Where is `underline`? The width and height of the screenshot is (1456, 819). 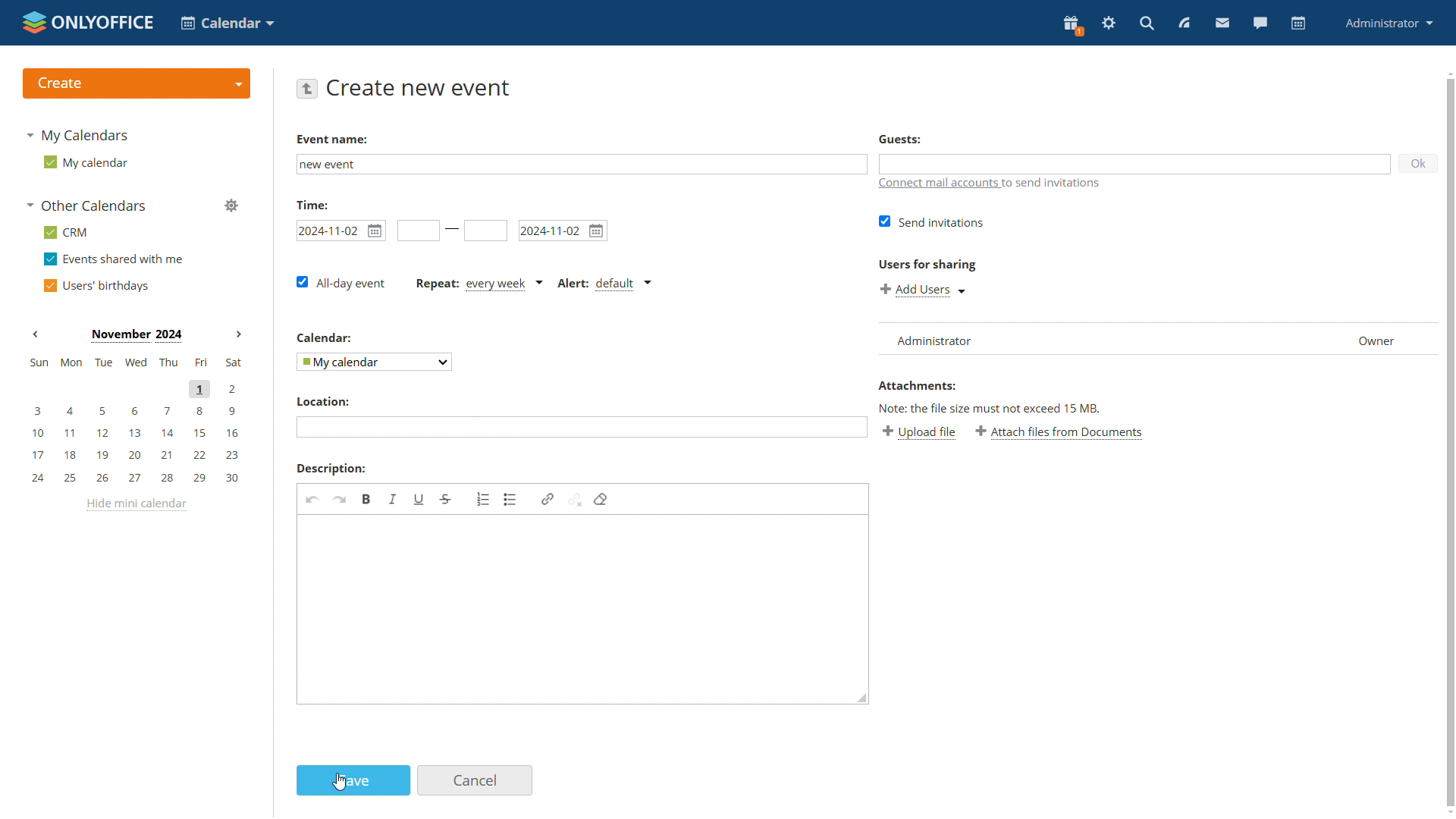
underline is located at coordinates (419, 500).